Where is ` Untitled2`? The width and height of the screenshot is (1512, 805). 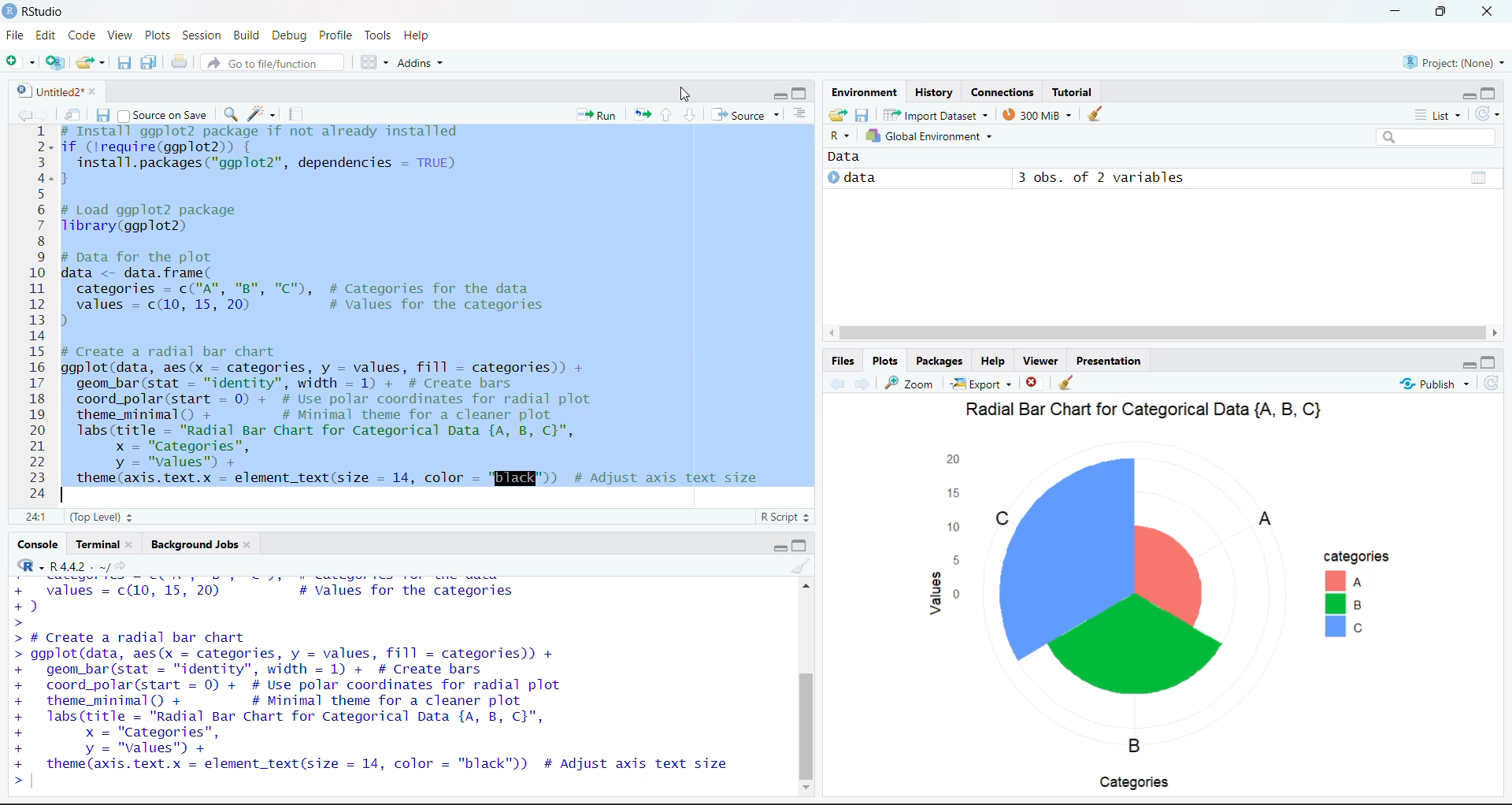
 Untitled2 is located at coordinates (54, 91).